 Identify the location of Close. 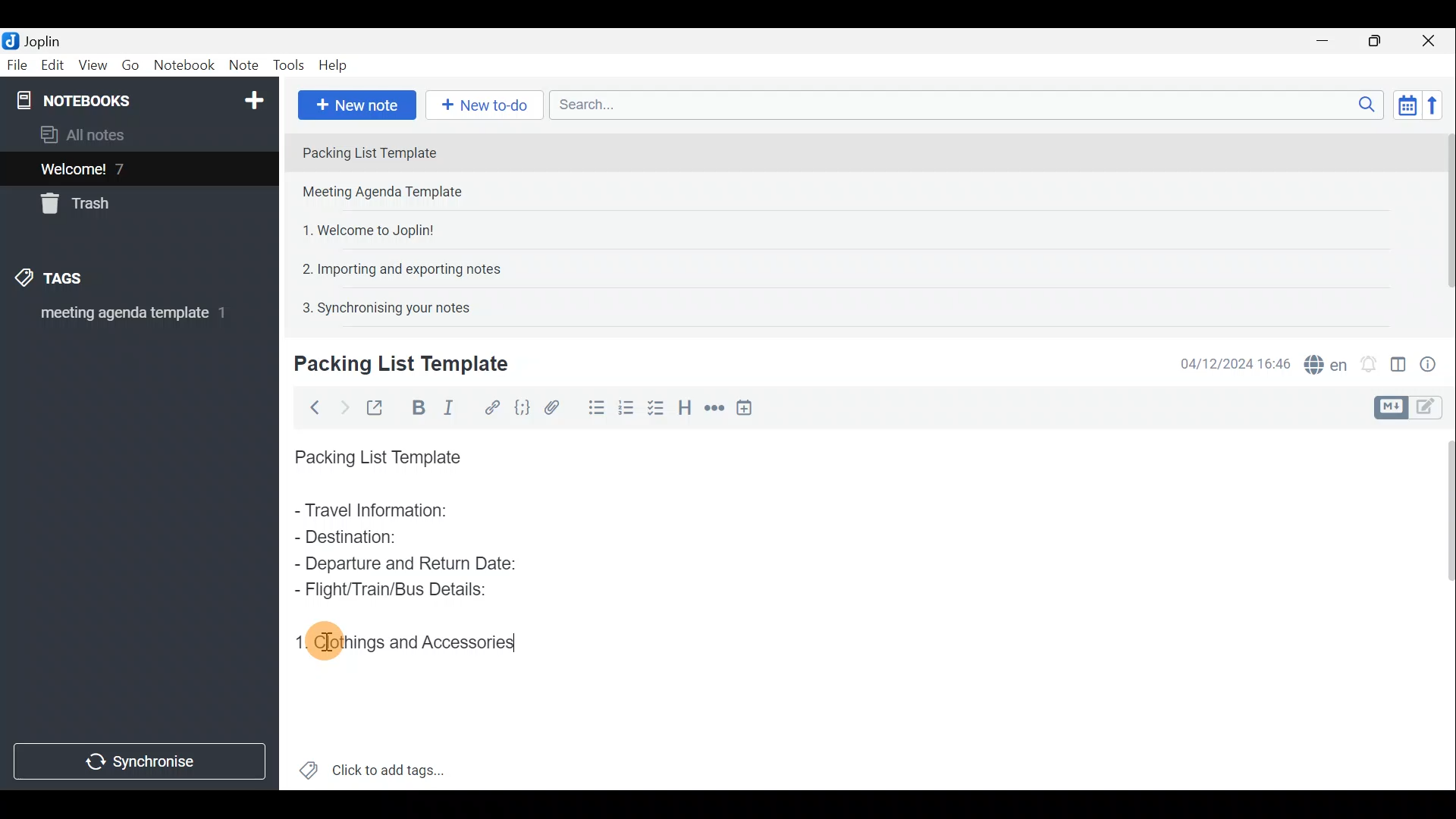
(1433, 40).